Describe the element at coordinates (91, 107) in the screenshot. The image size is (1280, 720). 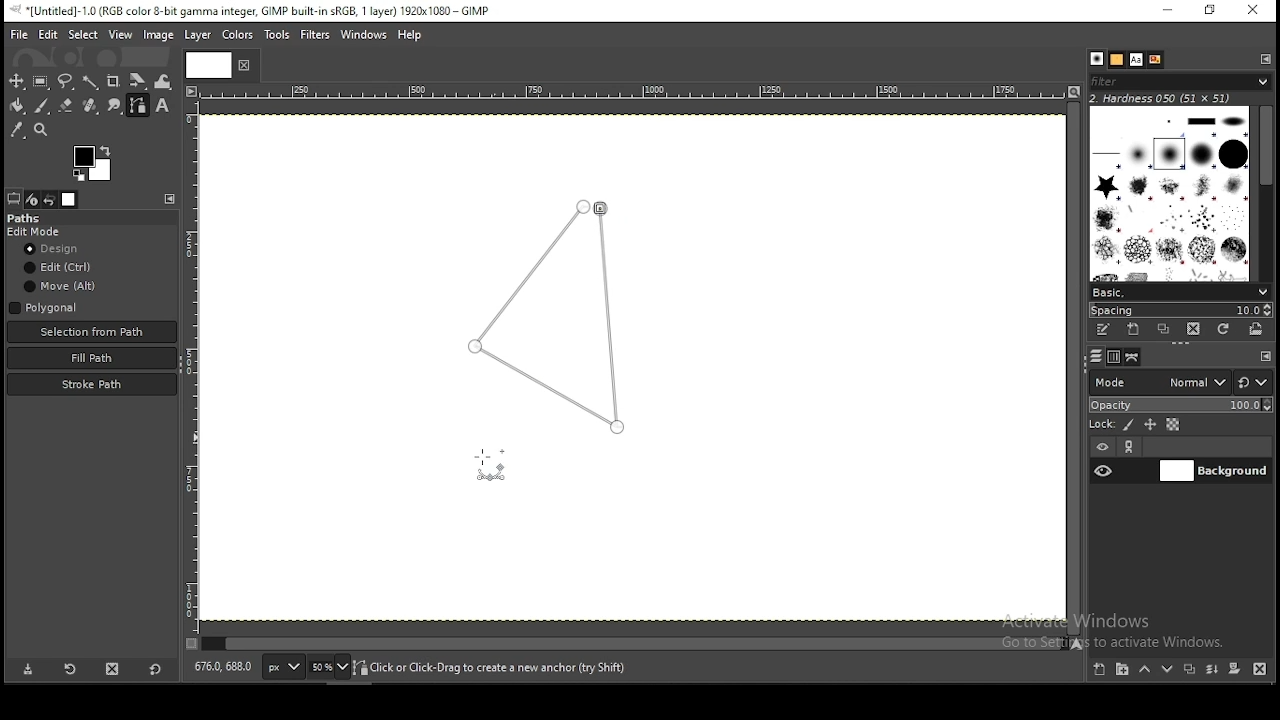
I see `heal tool` at that location.